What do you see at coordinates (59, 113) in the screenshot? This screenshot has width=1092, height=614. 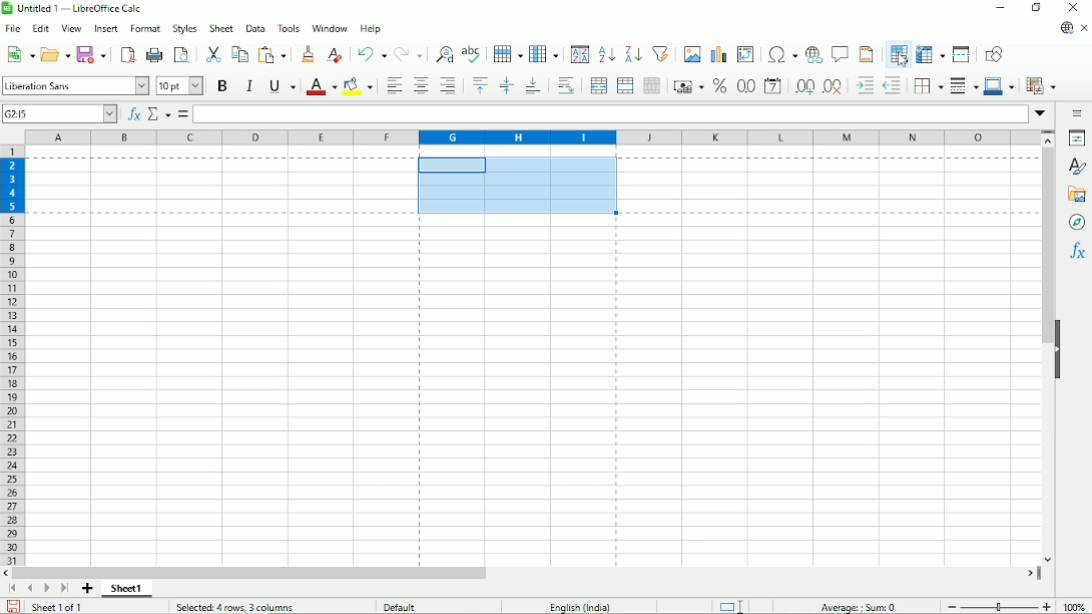 I see `Current cell` at bounding box center [59, 113].